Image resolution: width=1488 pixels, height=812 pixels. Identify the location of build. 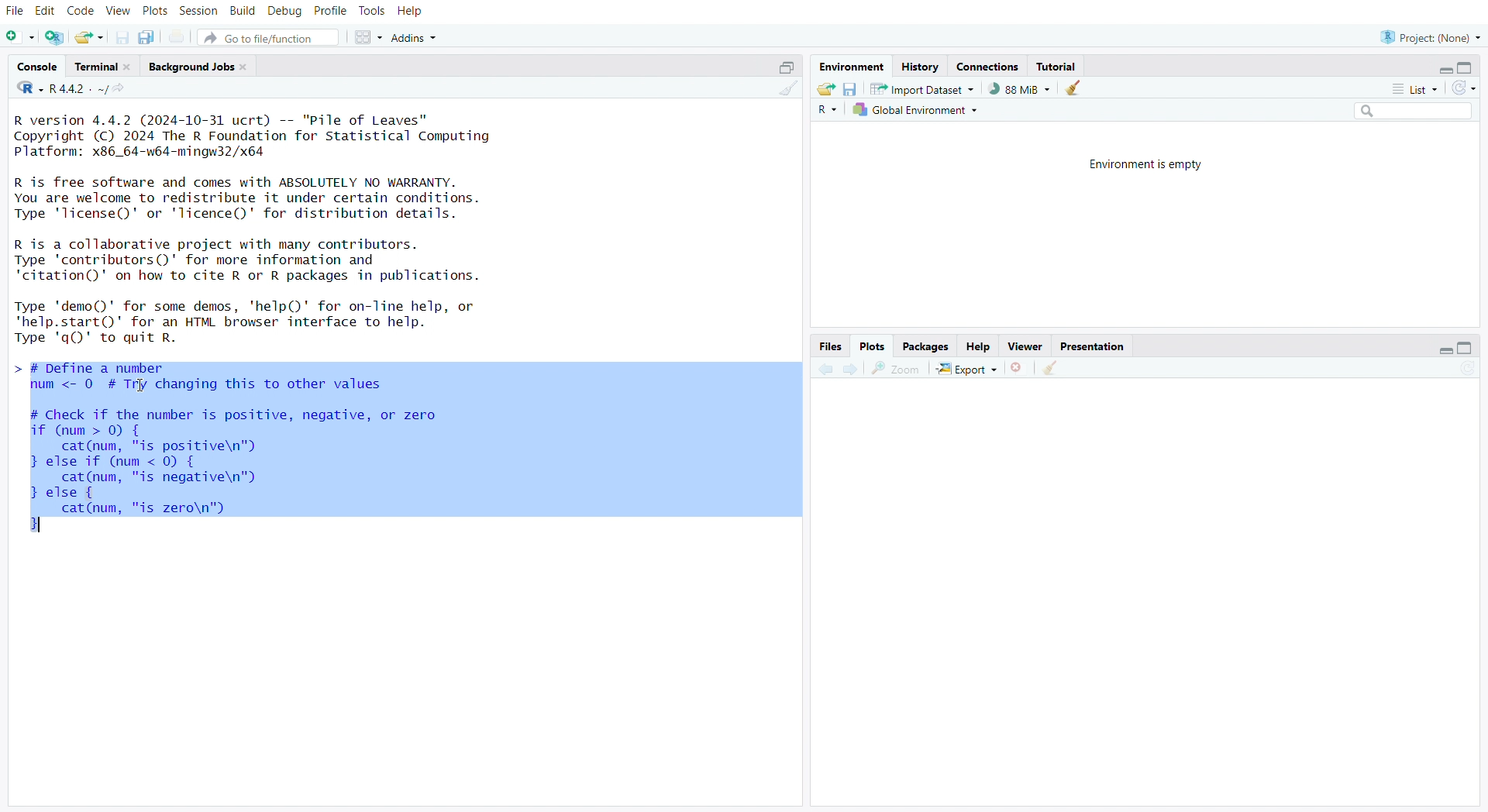
(243, 11).